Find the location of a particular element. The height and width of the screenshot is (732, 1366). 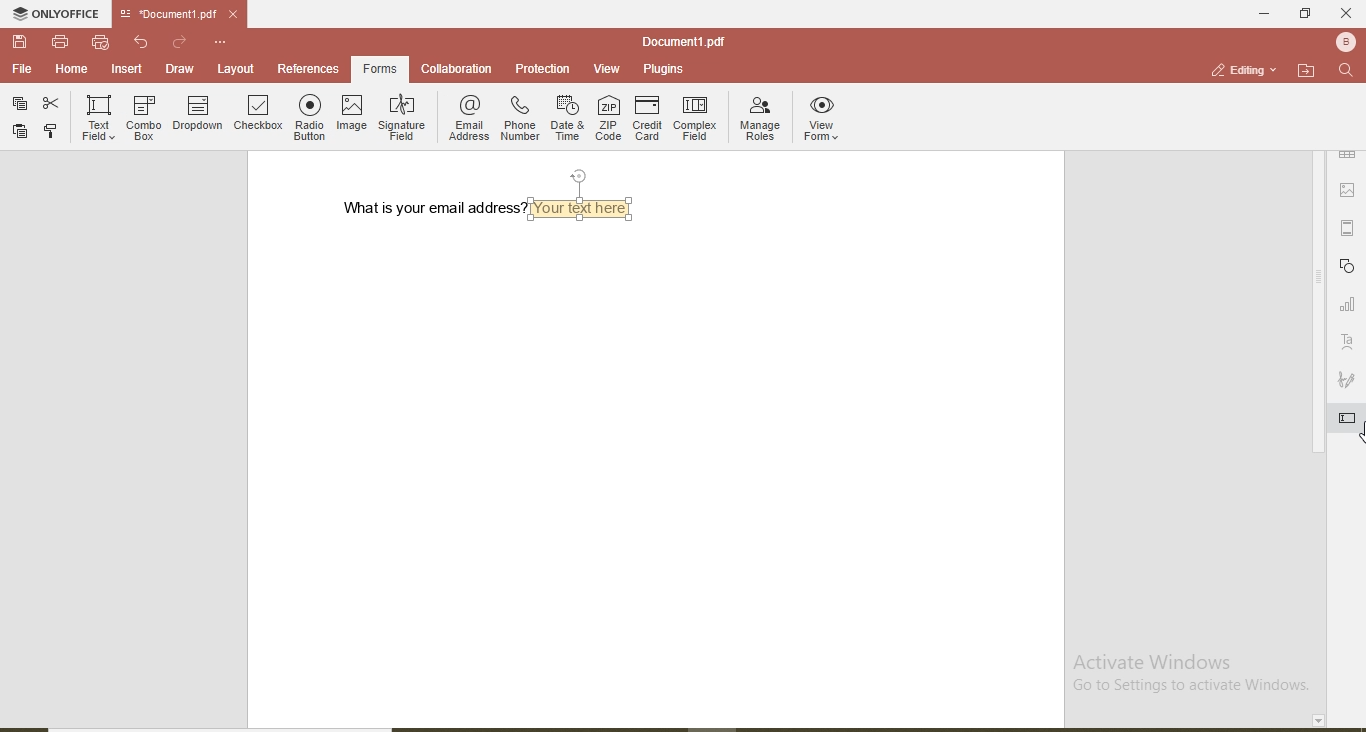

checkbox is located at coordinates (259, 118).